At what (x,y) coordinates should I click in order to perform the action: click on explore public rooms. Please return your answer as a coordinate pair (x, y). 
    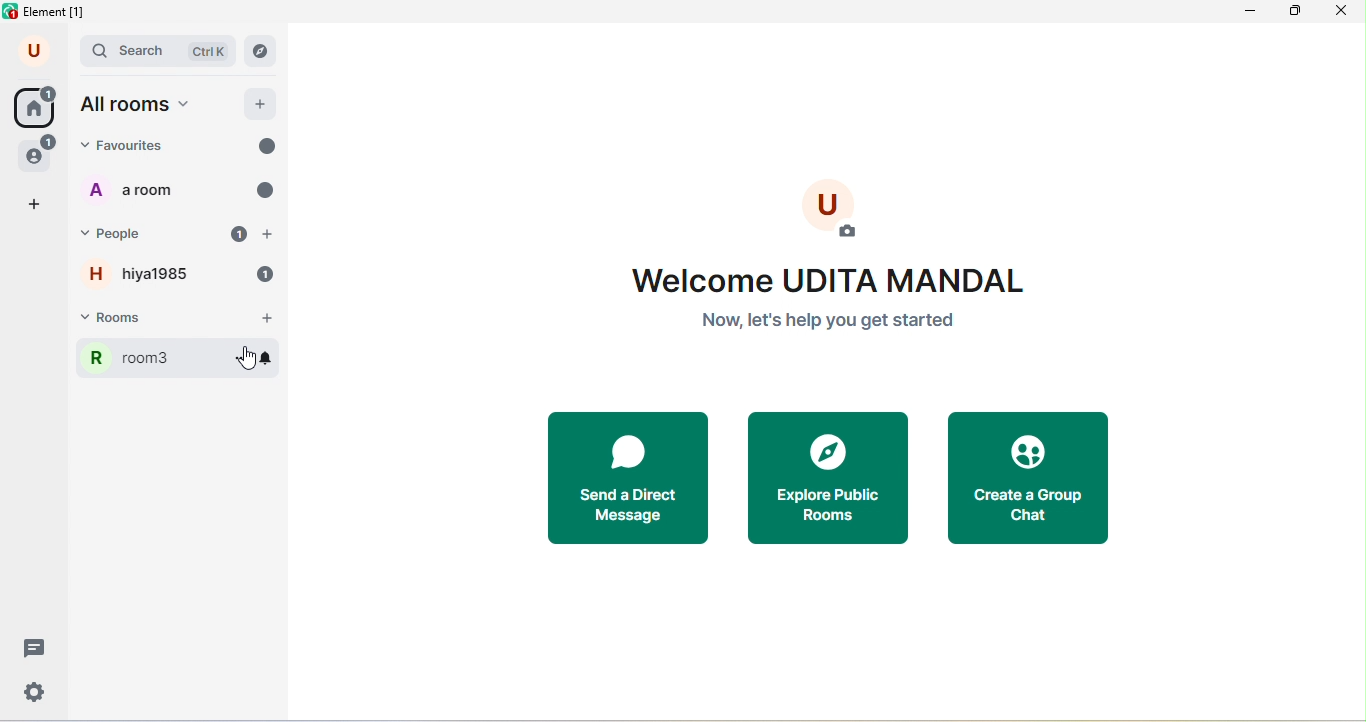
    Looking at the image, I should click on (836, 481).